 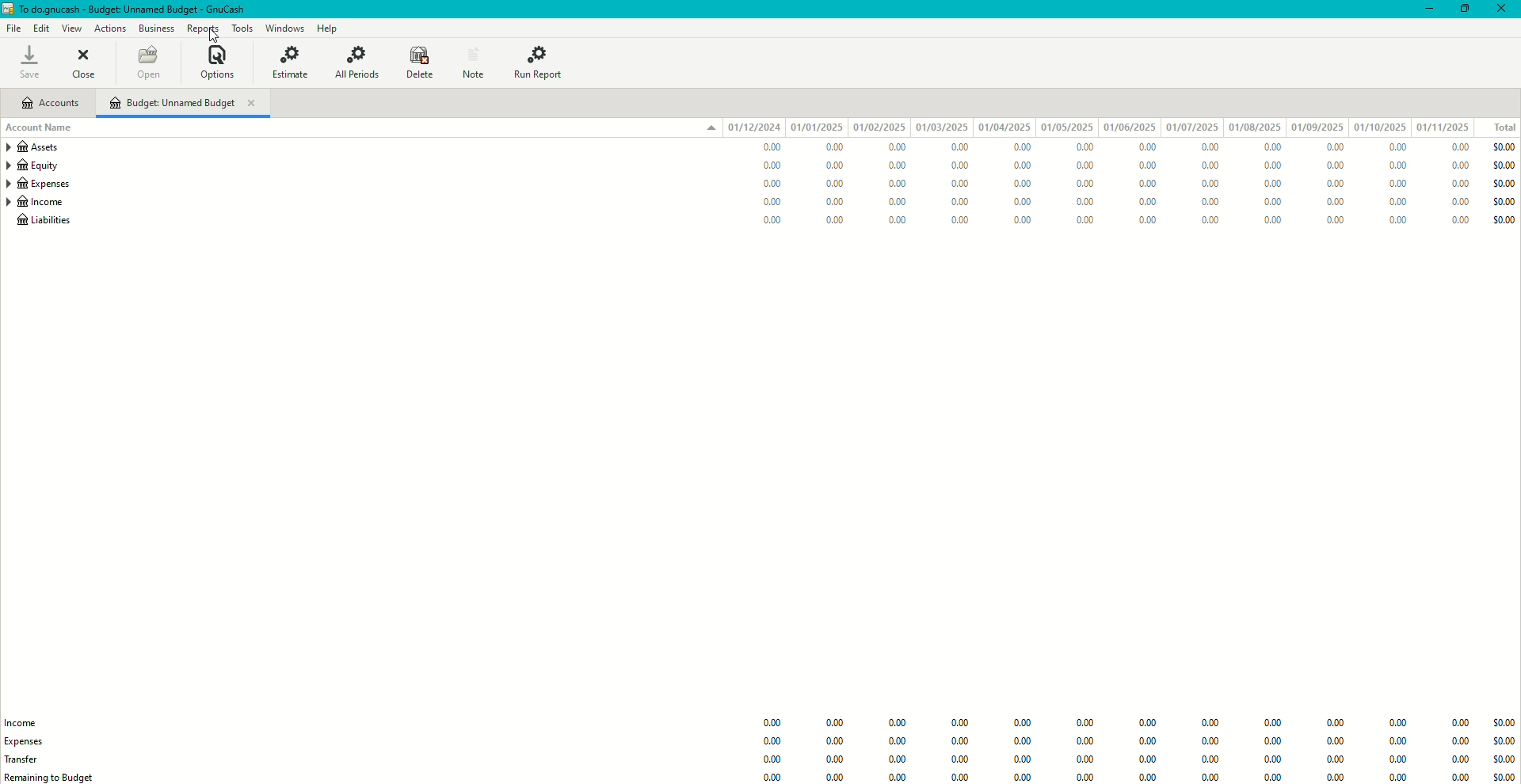 I want to click on Minimize, so click(x=1424, y=9).